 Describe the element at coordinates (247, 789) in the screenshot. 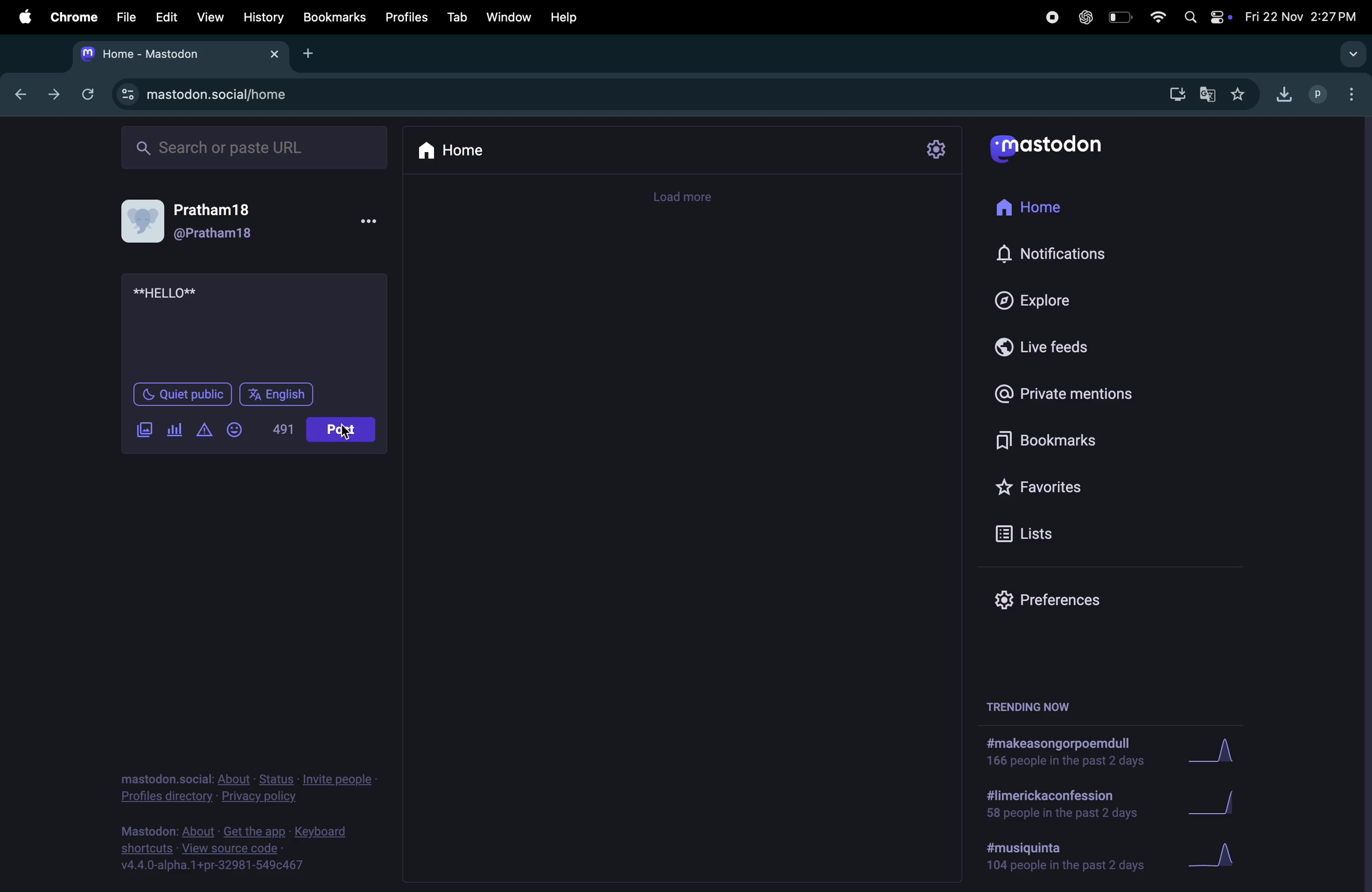

I see `privacy an policy` at that location.